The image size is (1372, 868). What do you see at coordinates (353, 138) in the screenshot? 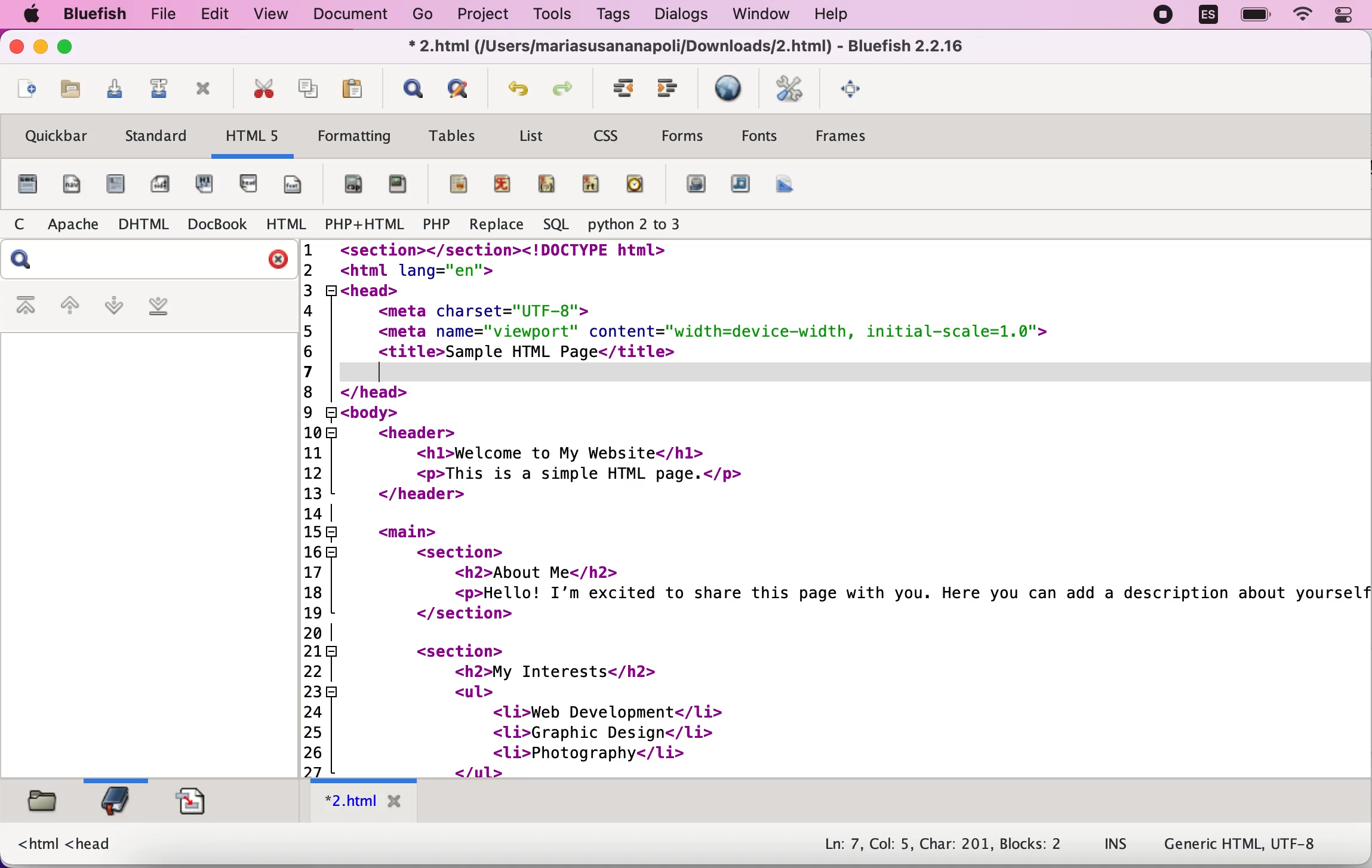
I see `formatting` at bounding box center [353, 138].